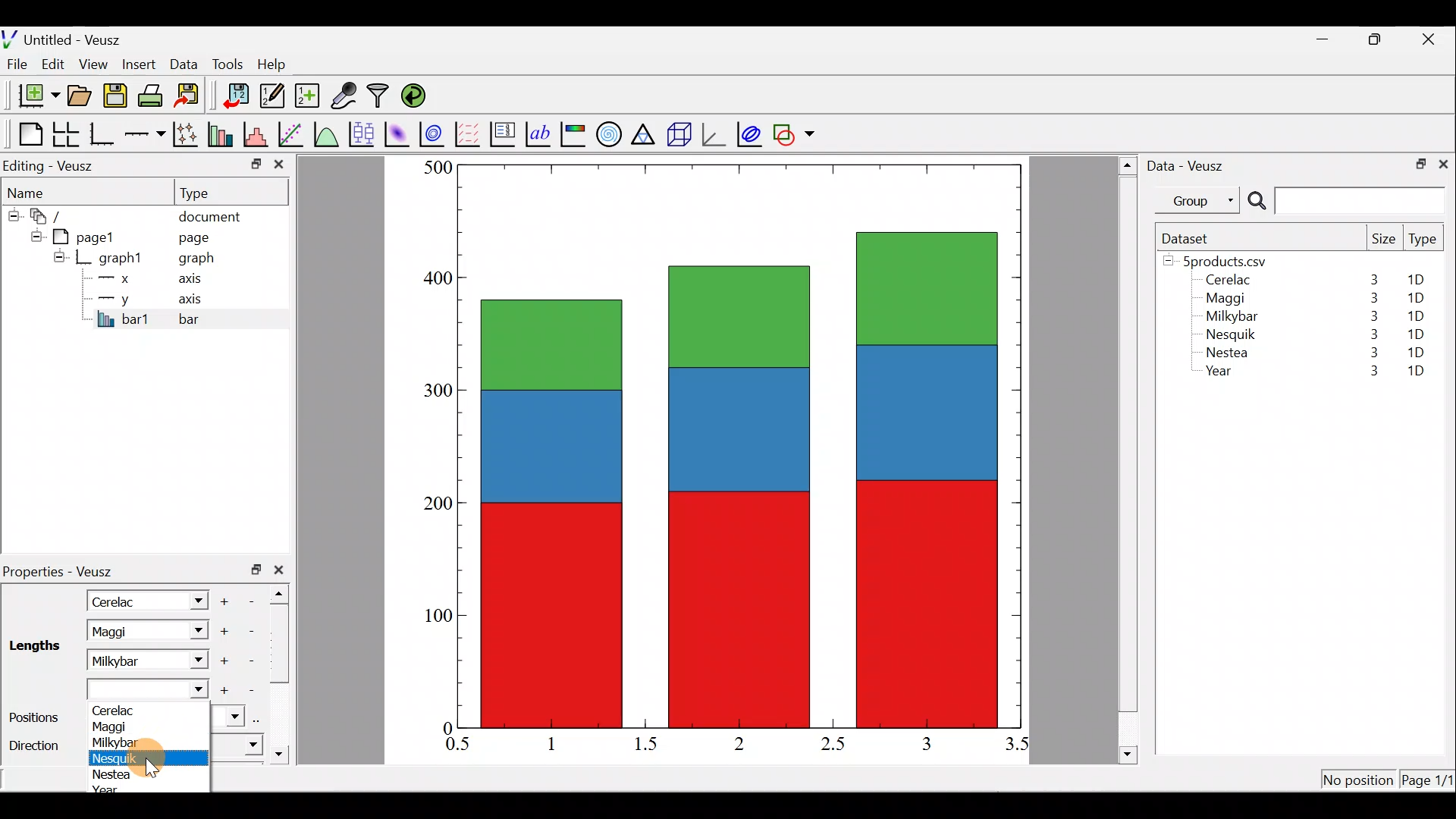 Image resolution: width=1456 pixels, height=819 pixels. I want to click on Add another item, so click(222, 632).